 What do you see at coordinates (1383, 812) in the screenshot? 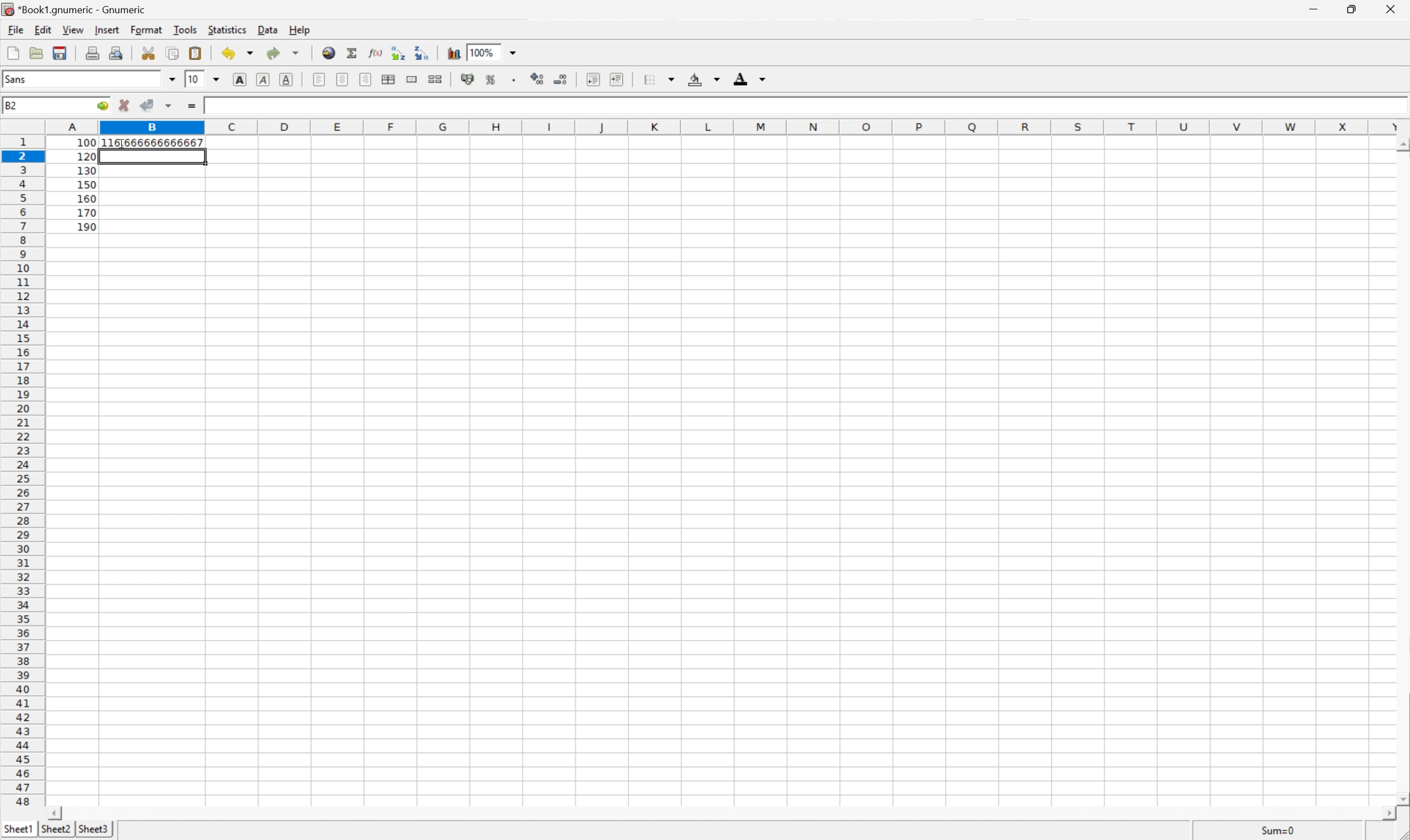
I see `Scroll Right` at bounding box center [1383, 812].